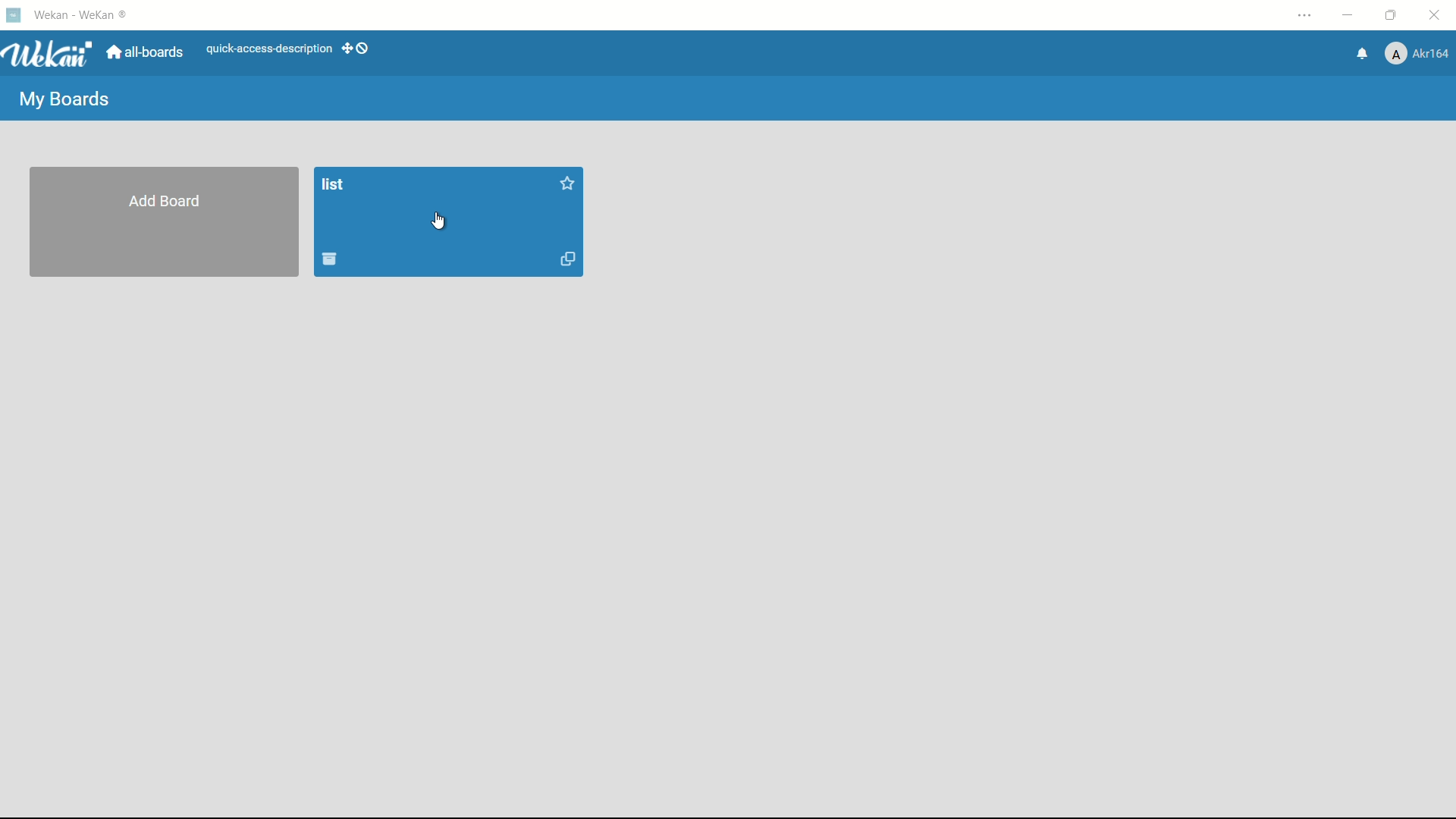 Image resolution: width=1456 pixels, height=819 pixels. Describe the element at coordinates (1350, 15) in the screenshot. I see `minimize` at that location.